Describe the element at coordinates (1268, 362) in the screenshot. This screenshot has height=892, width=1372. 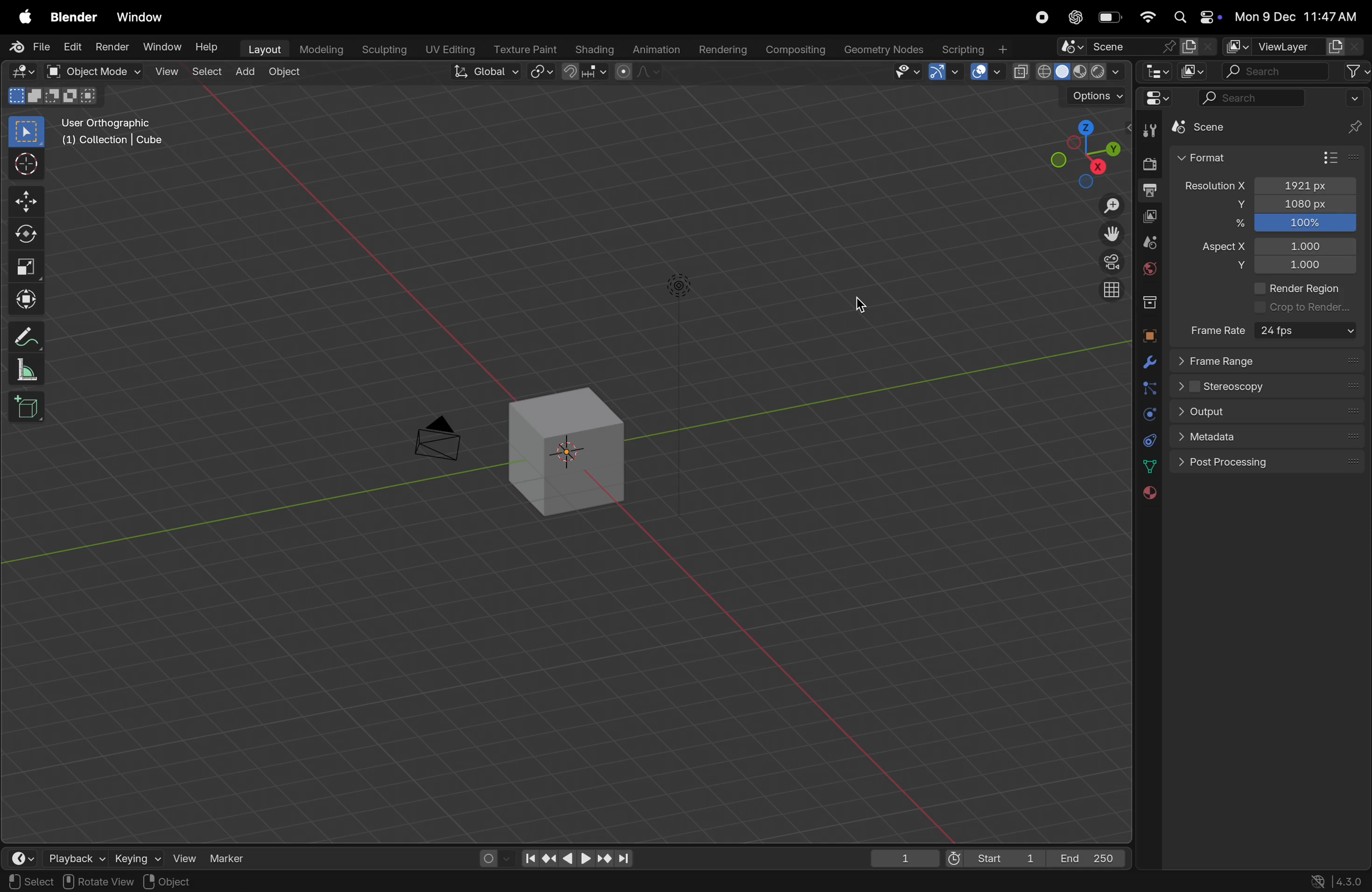
I see `frame range` at that location.